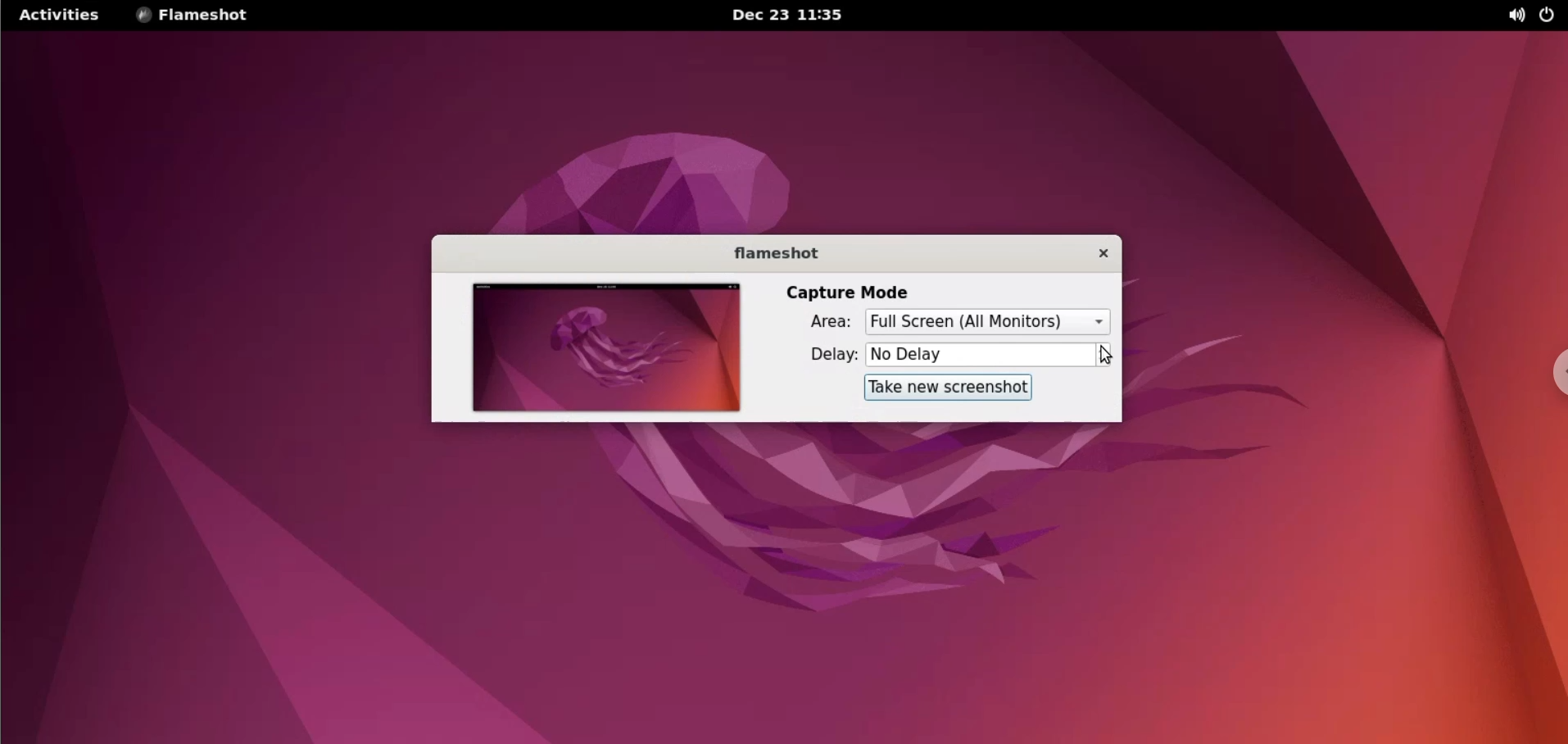  I want to click on delay time, so click(979, 355).